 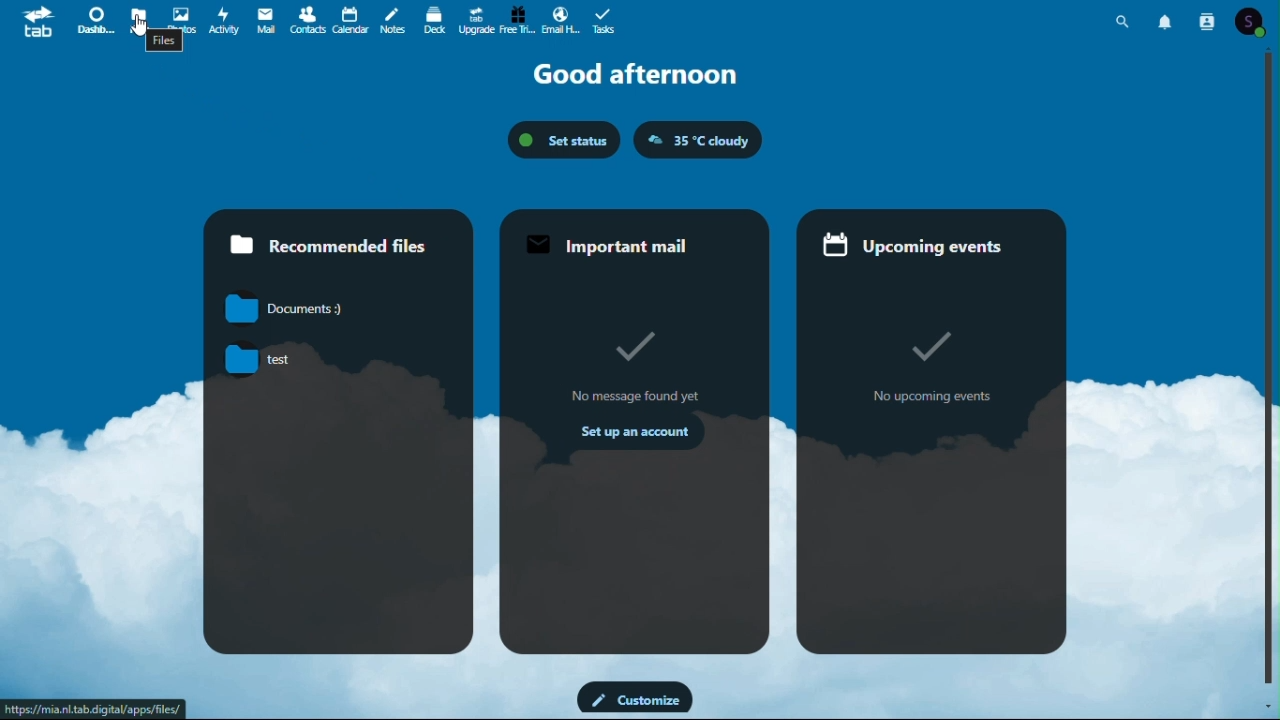 What do you see at coordinates (95, 710) in the screenshot?
I see `URL` at bounding box center [95, 710].